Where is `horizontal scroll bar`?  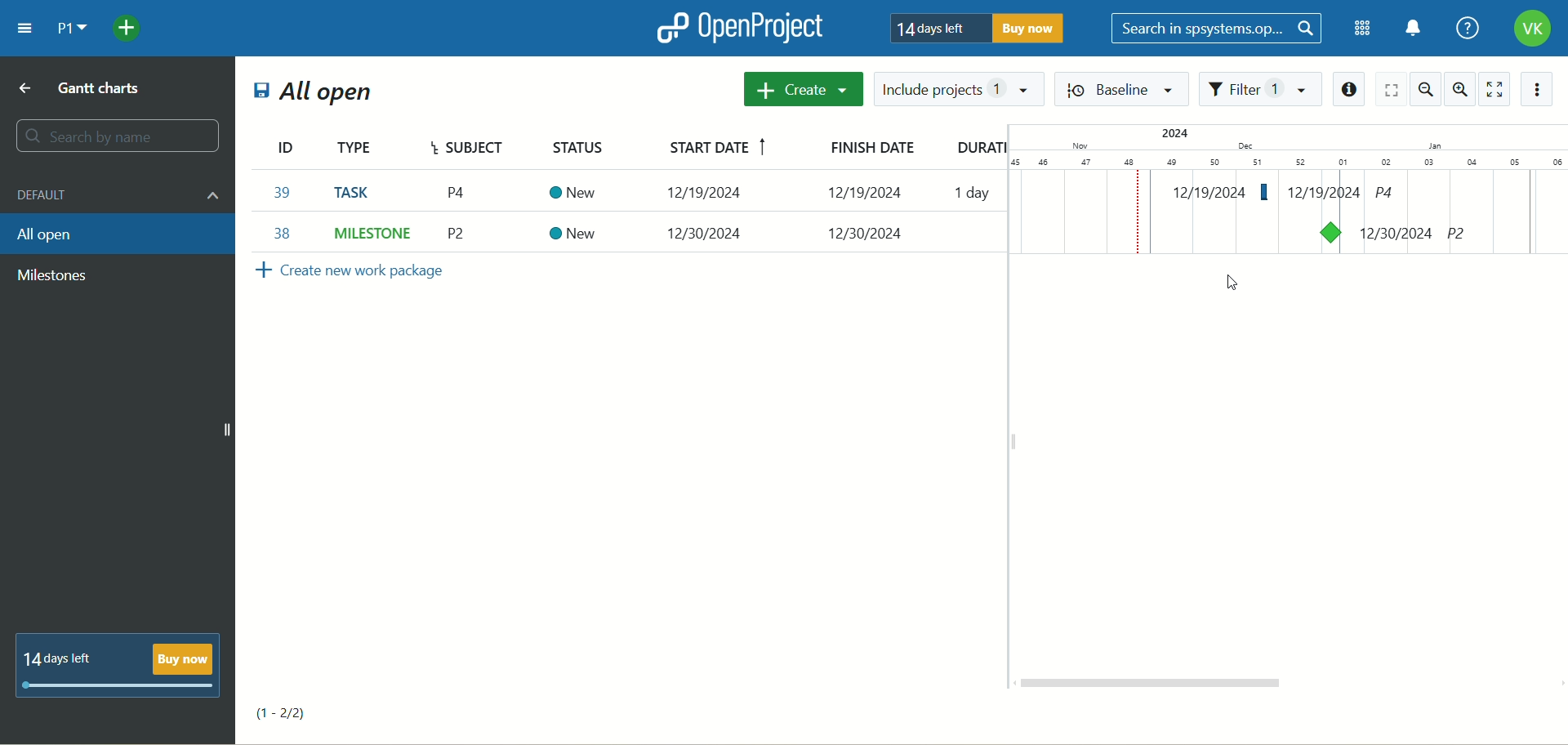 horizontal scroll bar is located at coordinates (1167, 685).